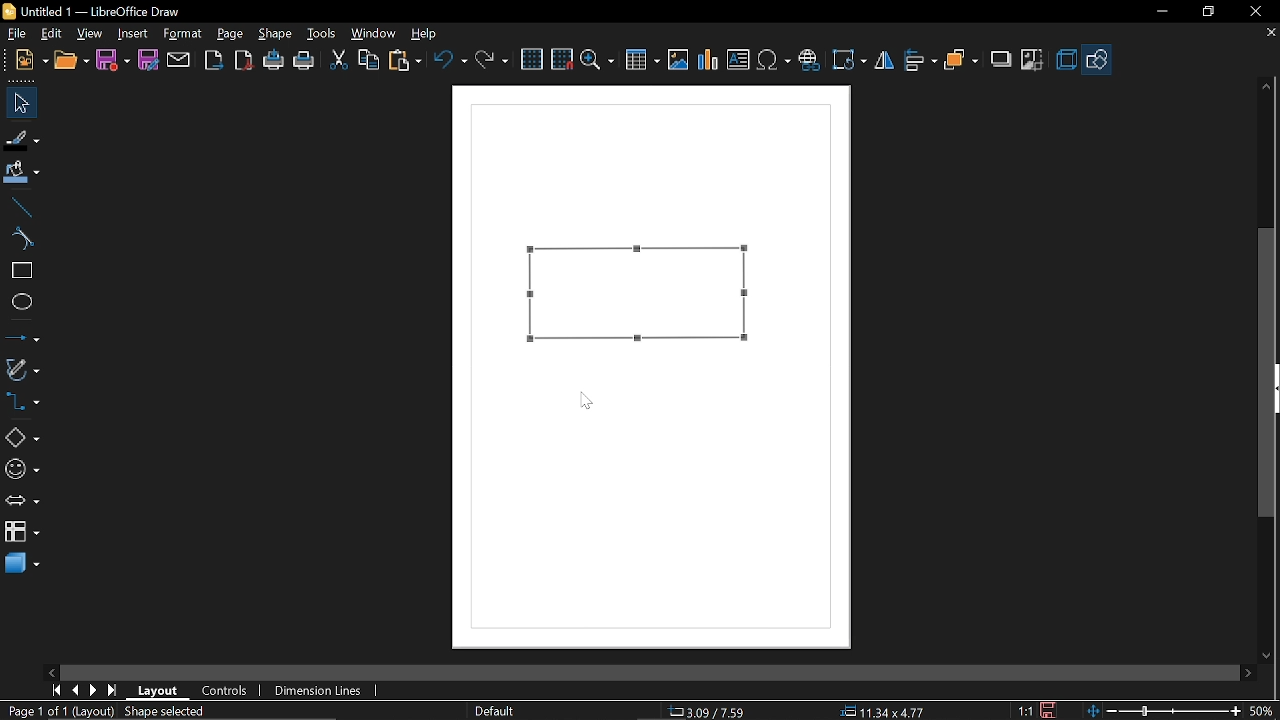  Describe the element at coordinates (1160, 13) in the screenshot. I see `Minimize` at that location.